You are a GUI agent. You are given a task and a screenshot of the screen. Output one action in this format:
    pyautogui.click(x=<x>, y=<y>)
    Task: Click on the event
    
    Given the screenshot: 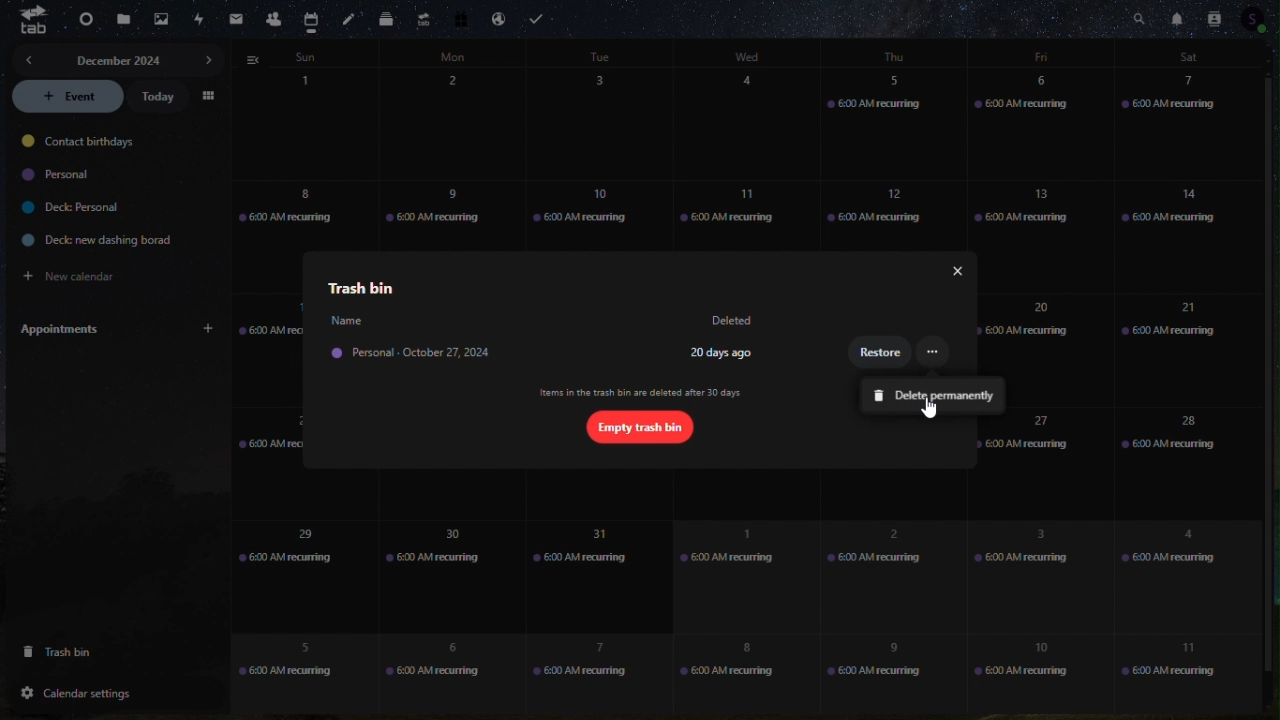 What is the action you would take?
    pyautogui.click(x=68, y=97)
    